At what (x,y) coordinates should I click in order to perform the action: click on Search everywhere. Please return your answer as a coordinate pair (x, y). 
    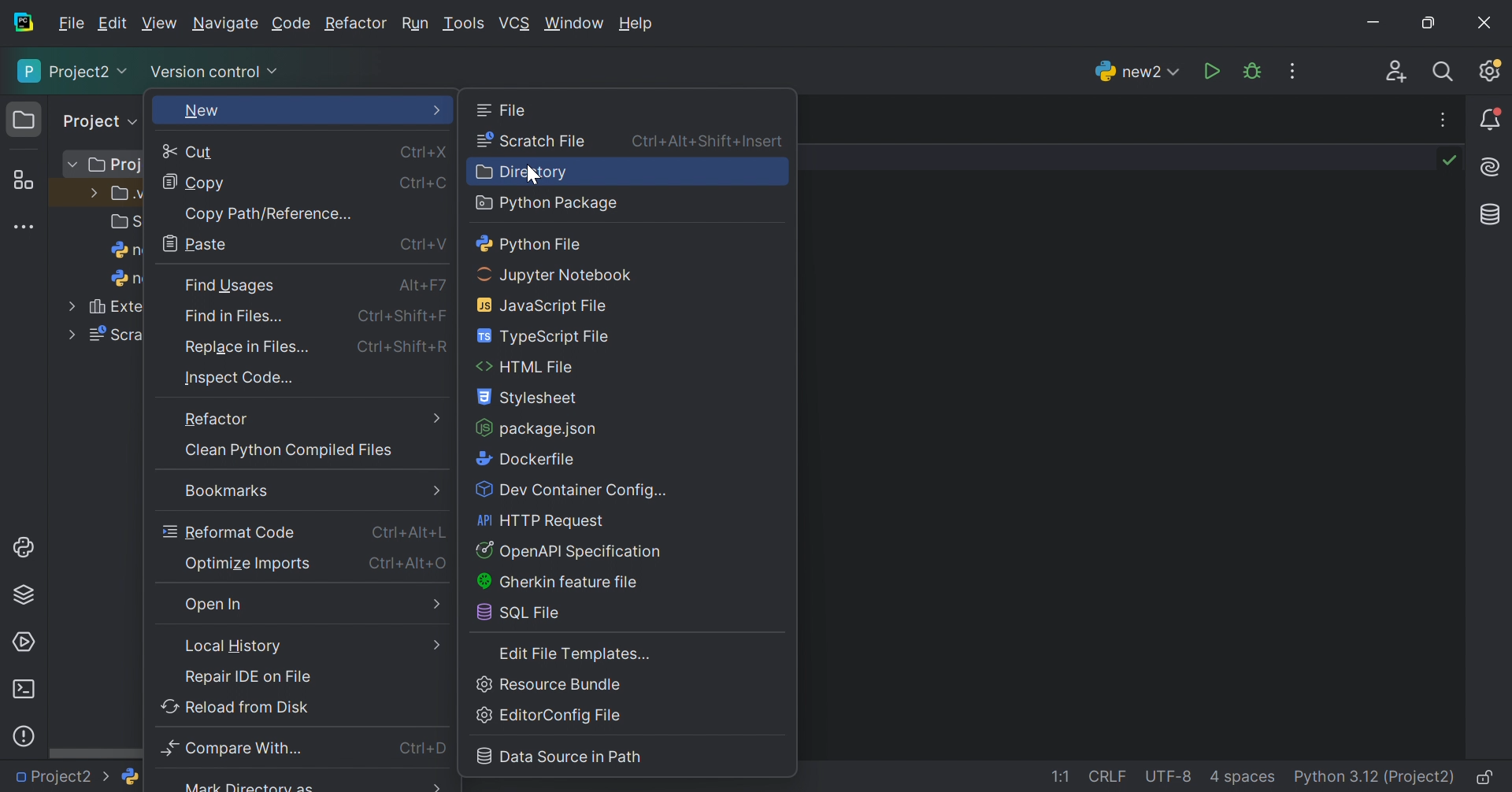
    Looking at the image, I should click on (1446, 74).